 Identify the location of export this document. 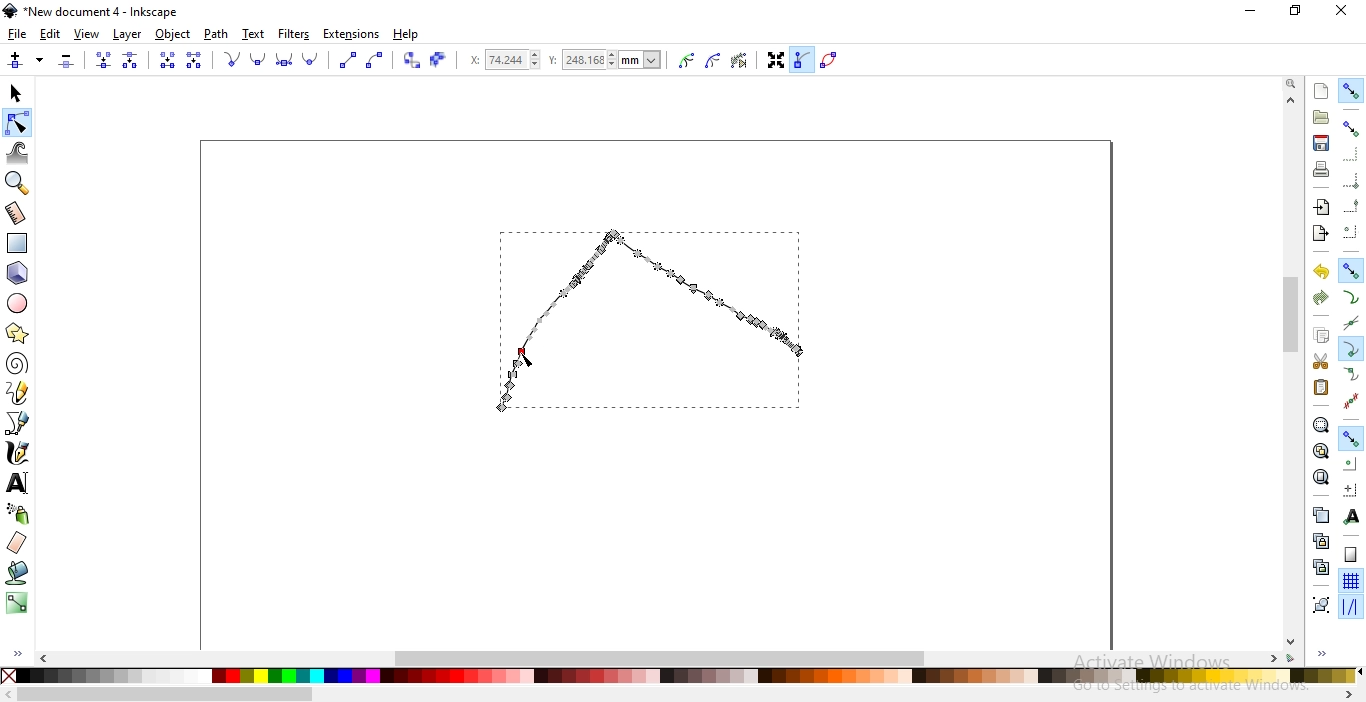
(1319, 234).